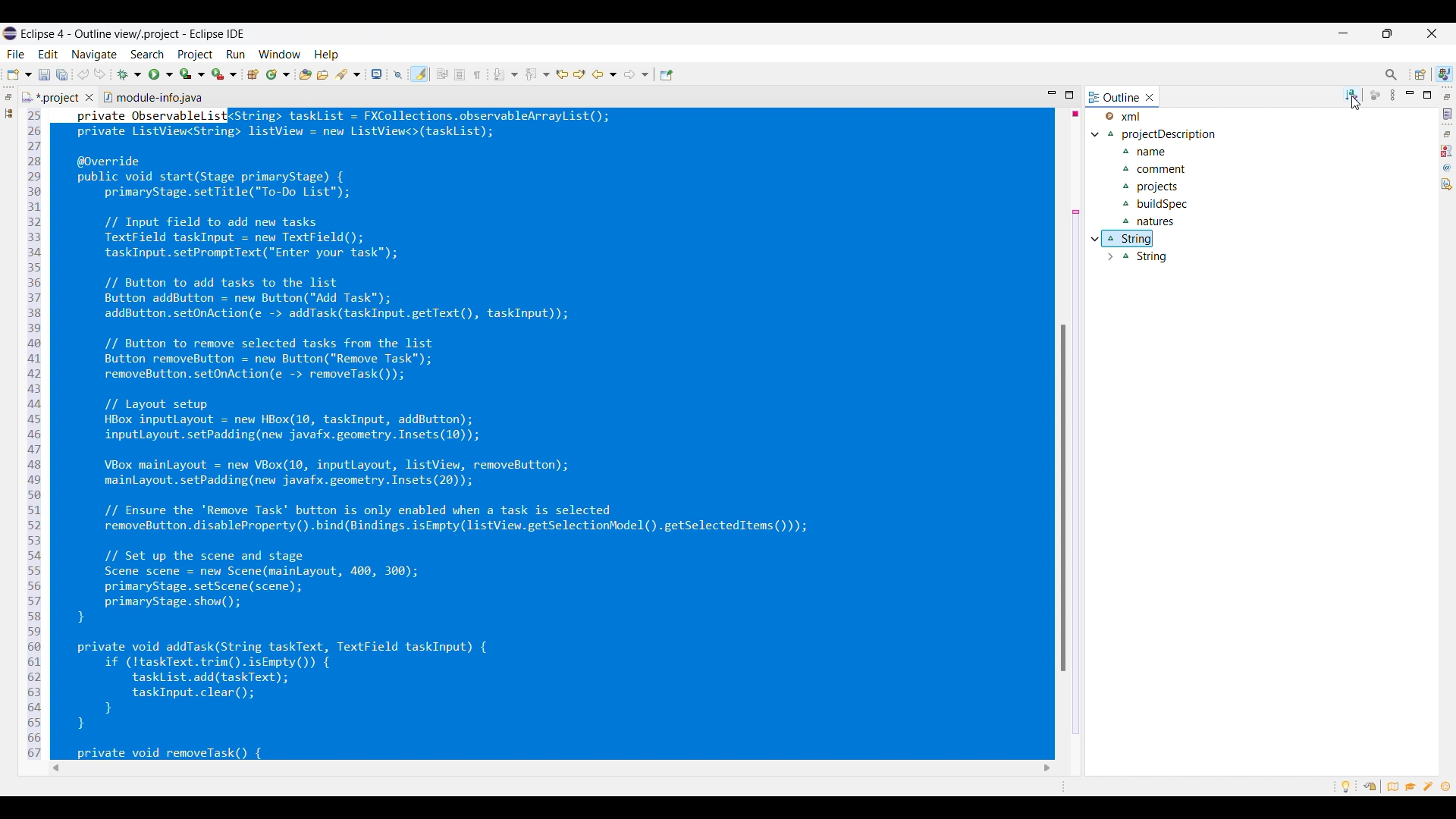 Image resolution: width=1456 pixels, height=819 pixels. What do you see at coordinates (1344, 33) in the screenshot?
I see `Minimize` at bounding box center [1344, 33].